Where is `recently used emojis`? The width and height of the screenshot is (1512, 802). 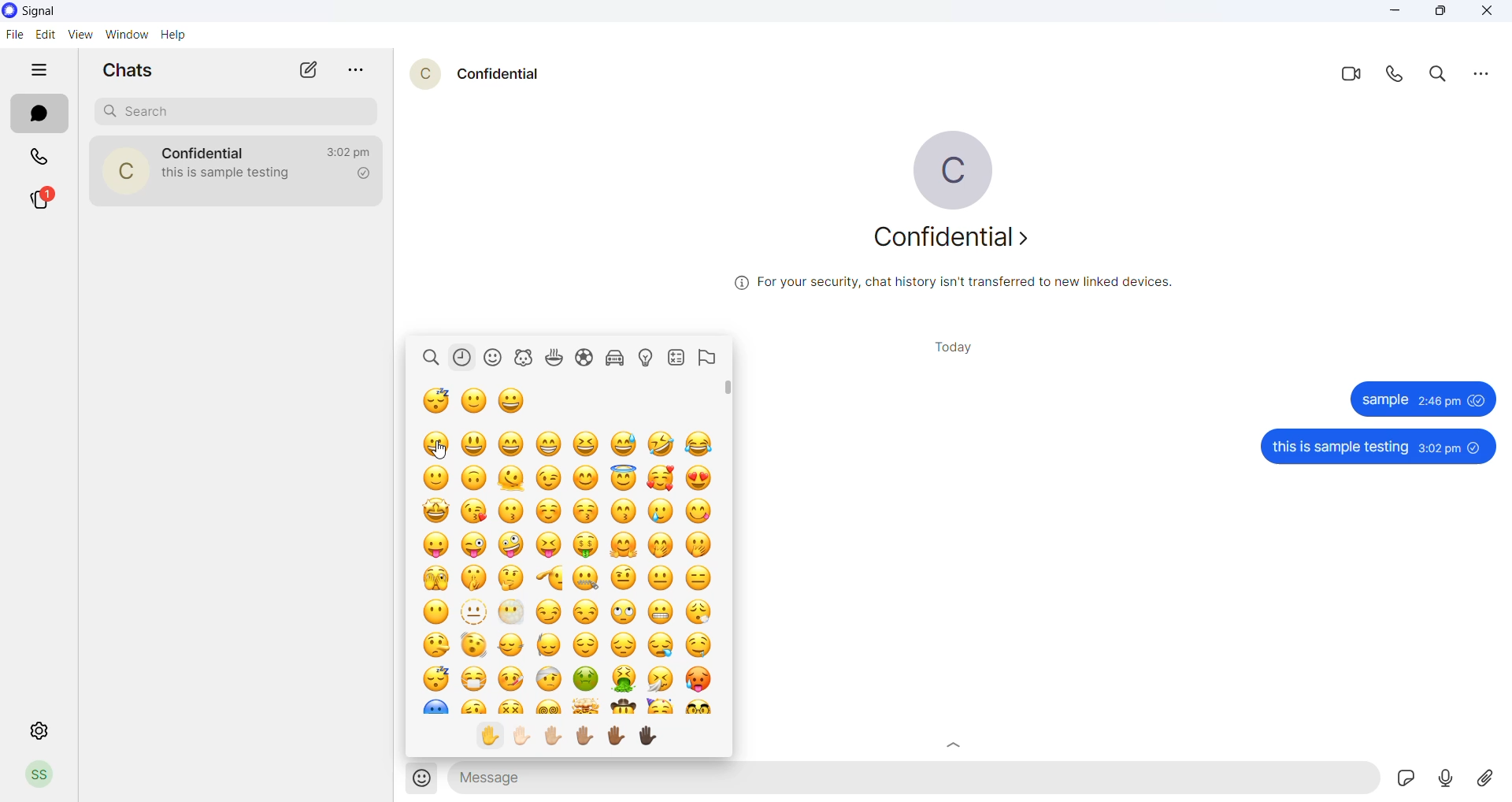 recently used emojis is located at coordinates (465, 358).